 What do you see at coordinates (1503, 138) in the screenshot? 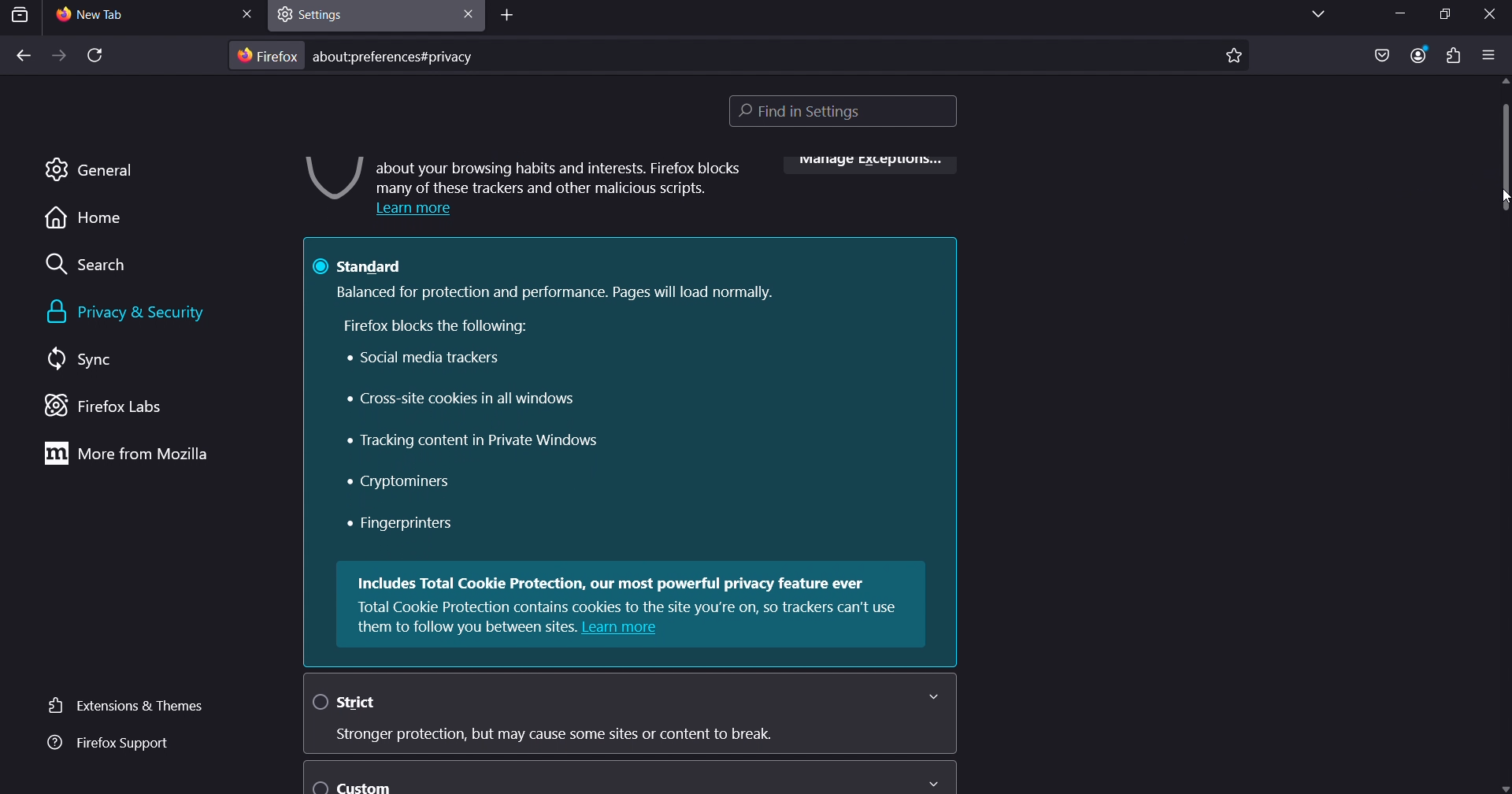
I see `scrollbar` at bounding box center [1503, 138].